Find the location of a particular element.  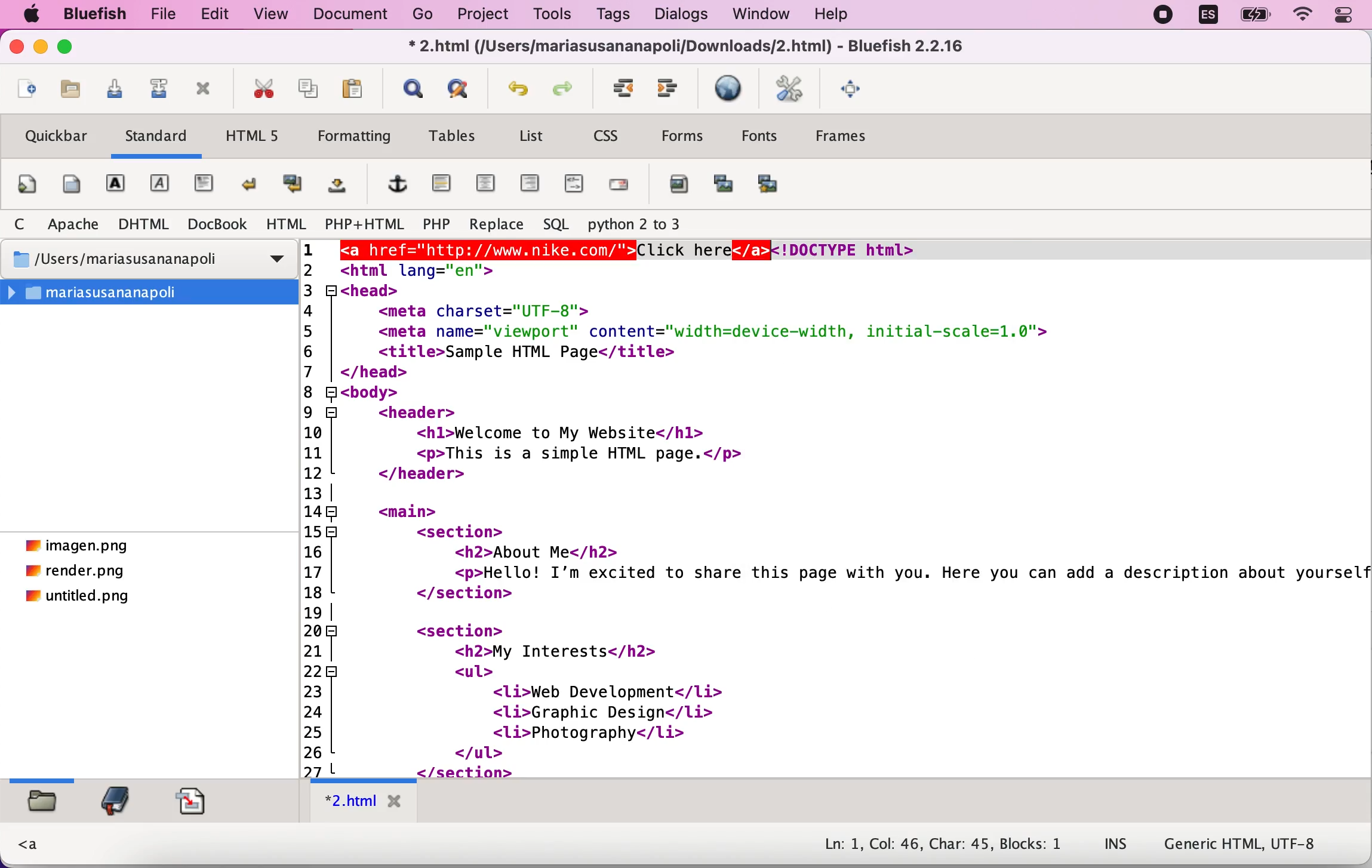

minimize is located at coordinates (41, 48).